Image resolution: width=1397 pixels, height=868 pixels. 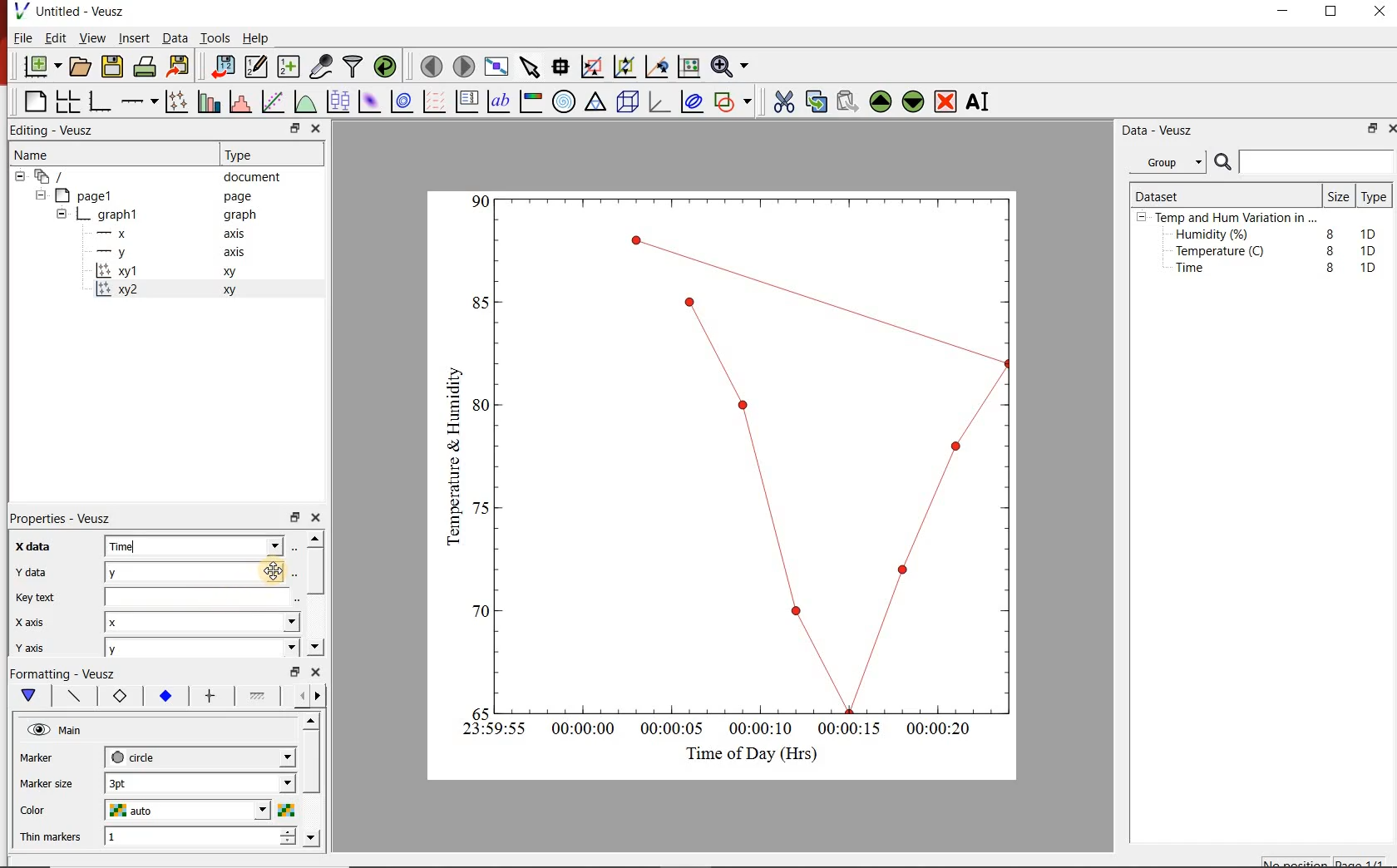 What do you see at coordinates (848, 101) in the screenshot?
I see `Paste widget from the clipboard` at bounding box center [848, 101].